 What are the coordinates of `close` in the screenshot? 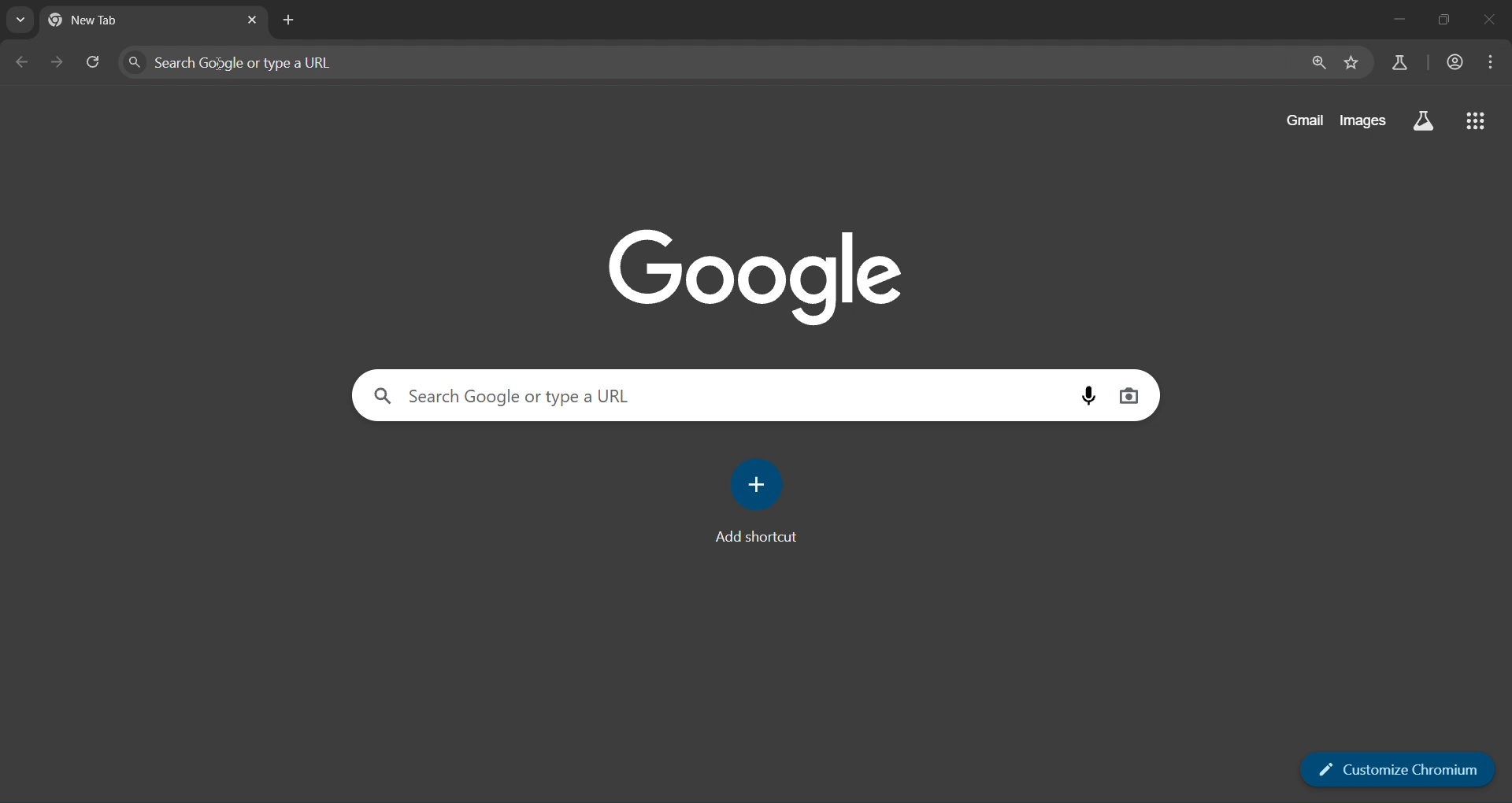 It's located at (1490, 20).